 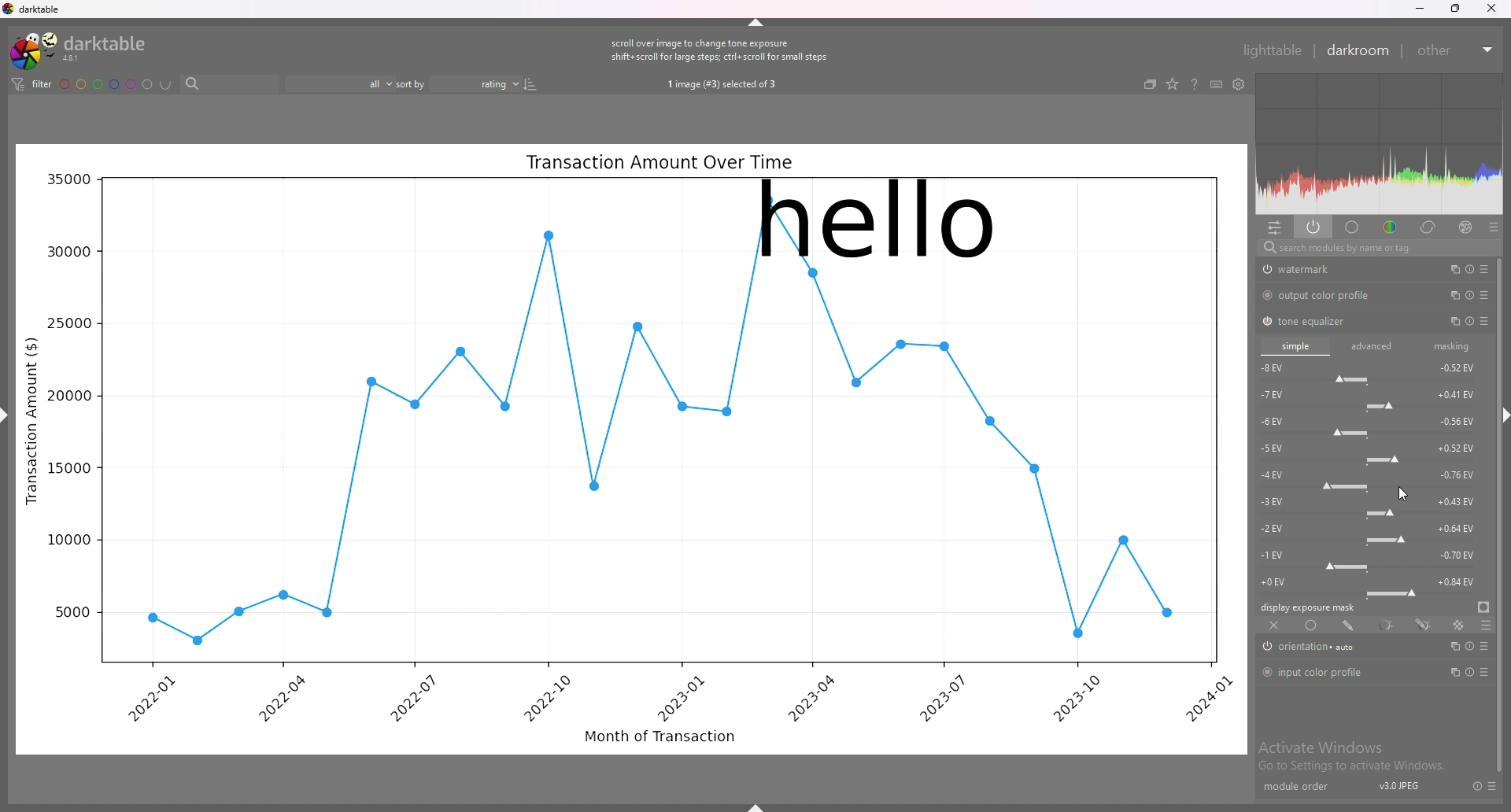 I want to click on -0 EV force, so click(x=1372, y=585).